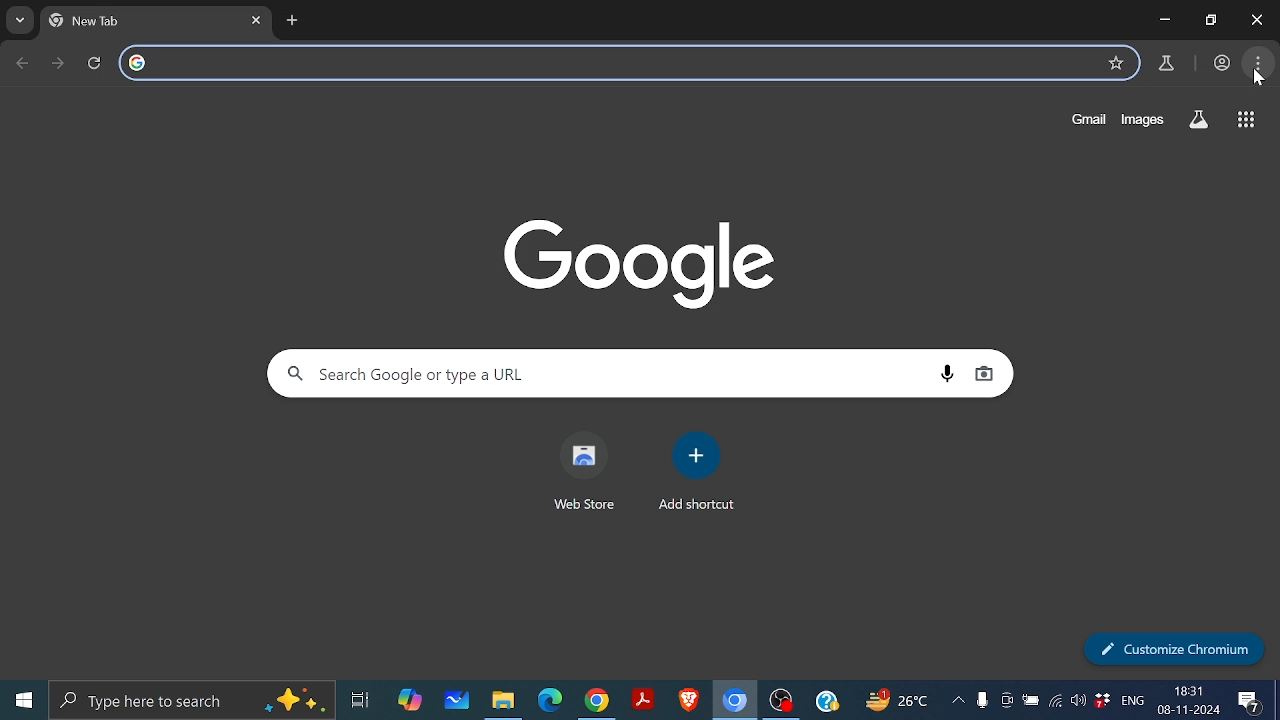  Describe the element at coordinates (362, 703) in the screenshot. I see `task view` at that location.